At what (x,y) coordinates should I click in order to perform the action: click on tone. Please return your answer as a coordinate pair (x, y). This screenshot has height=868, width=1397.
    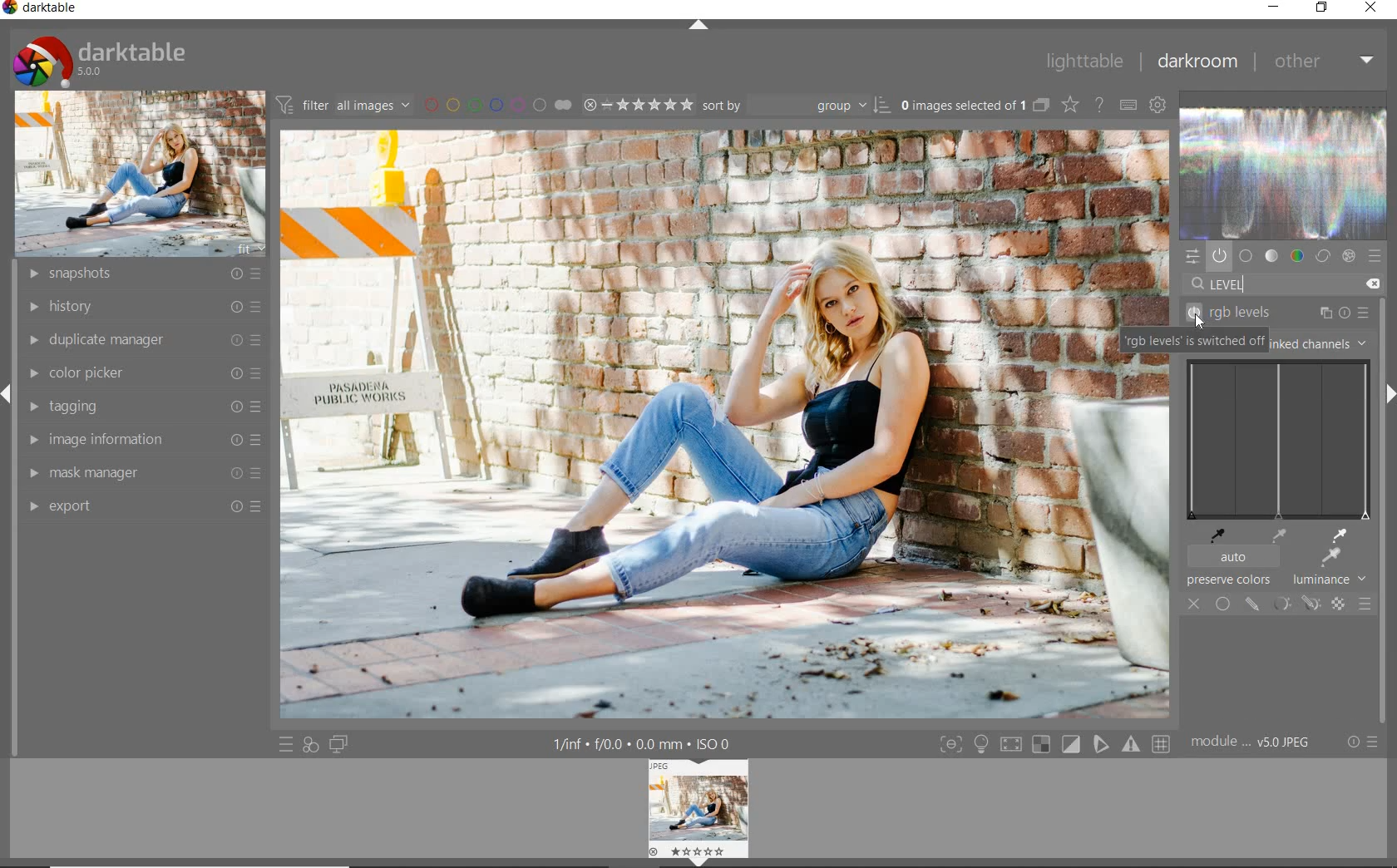
    Looking at the image, I should click on (1272, 254).